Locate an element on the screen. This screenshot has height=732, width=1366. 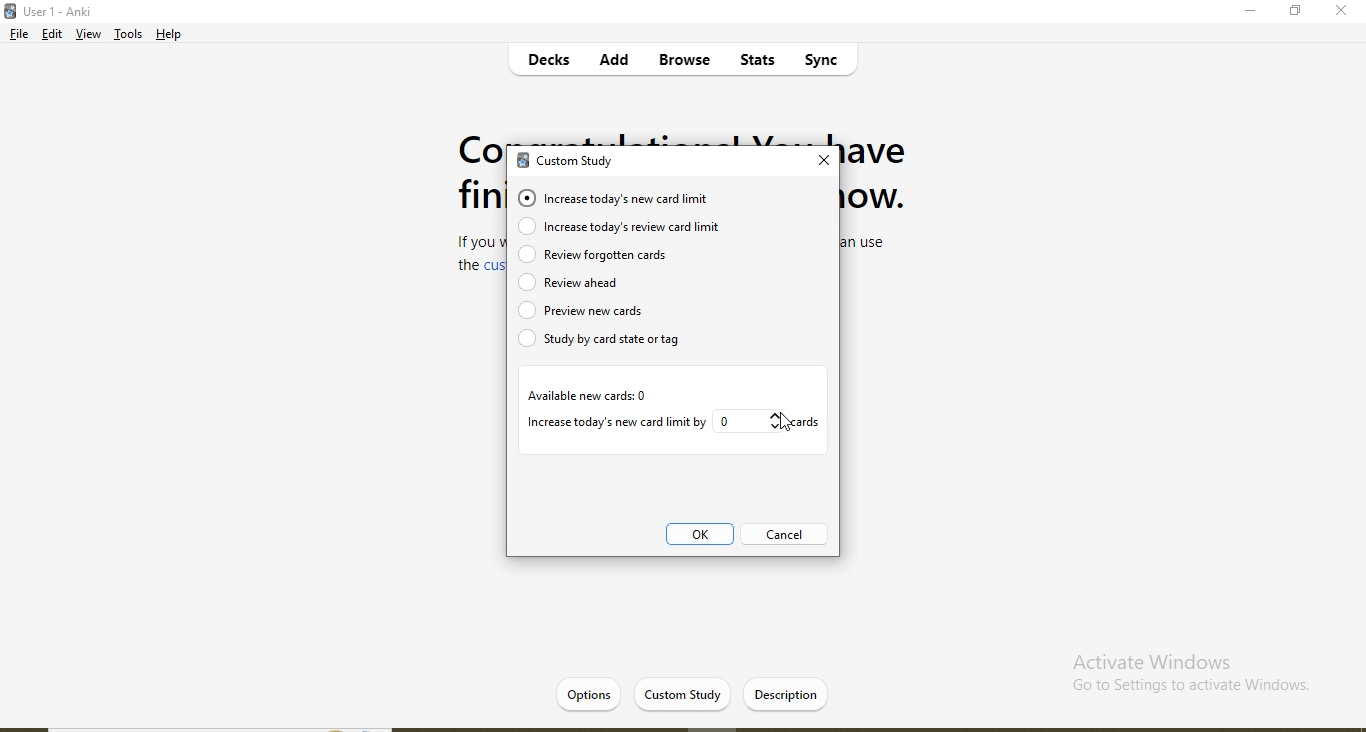
view is located at coordinates (88, 36).